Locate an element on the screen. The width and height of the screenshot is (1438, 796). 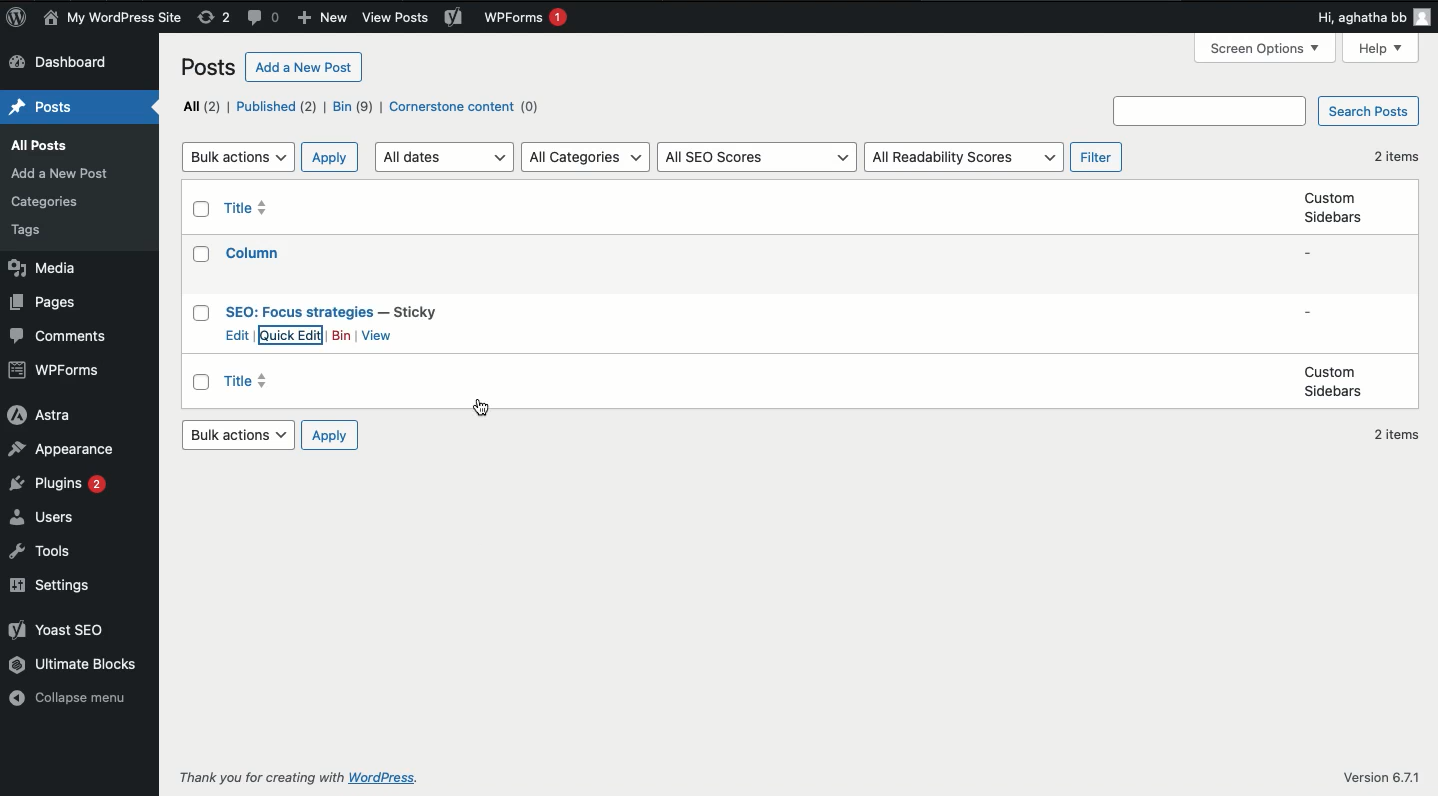
2 items is located at coordinates (1395, 156).